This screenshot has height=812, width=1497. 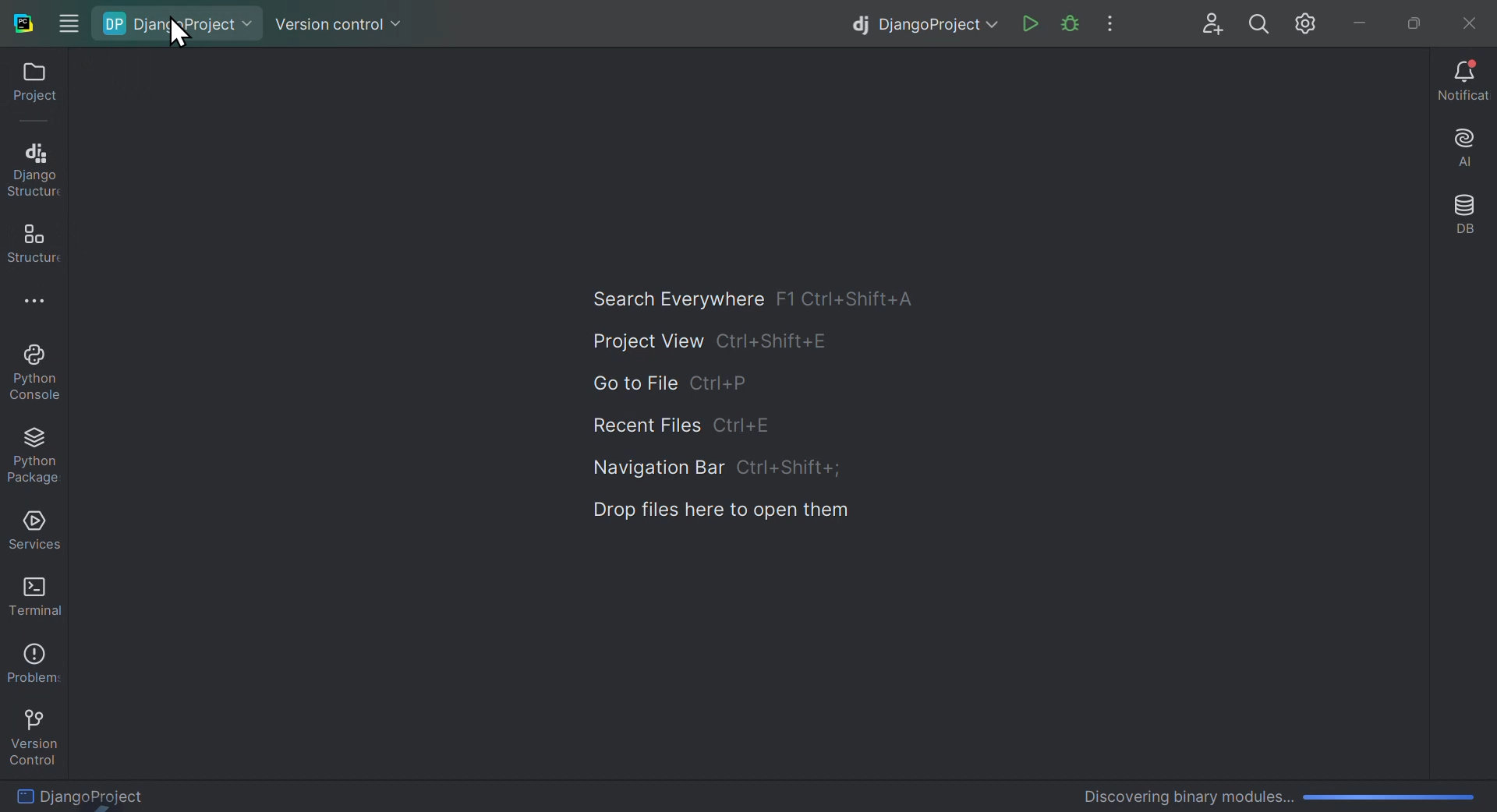 I want to click on Django structure, so click(x=33, y=167).